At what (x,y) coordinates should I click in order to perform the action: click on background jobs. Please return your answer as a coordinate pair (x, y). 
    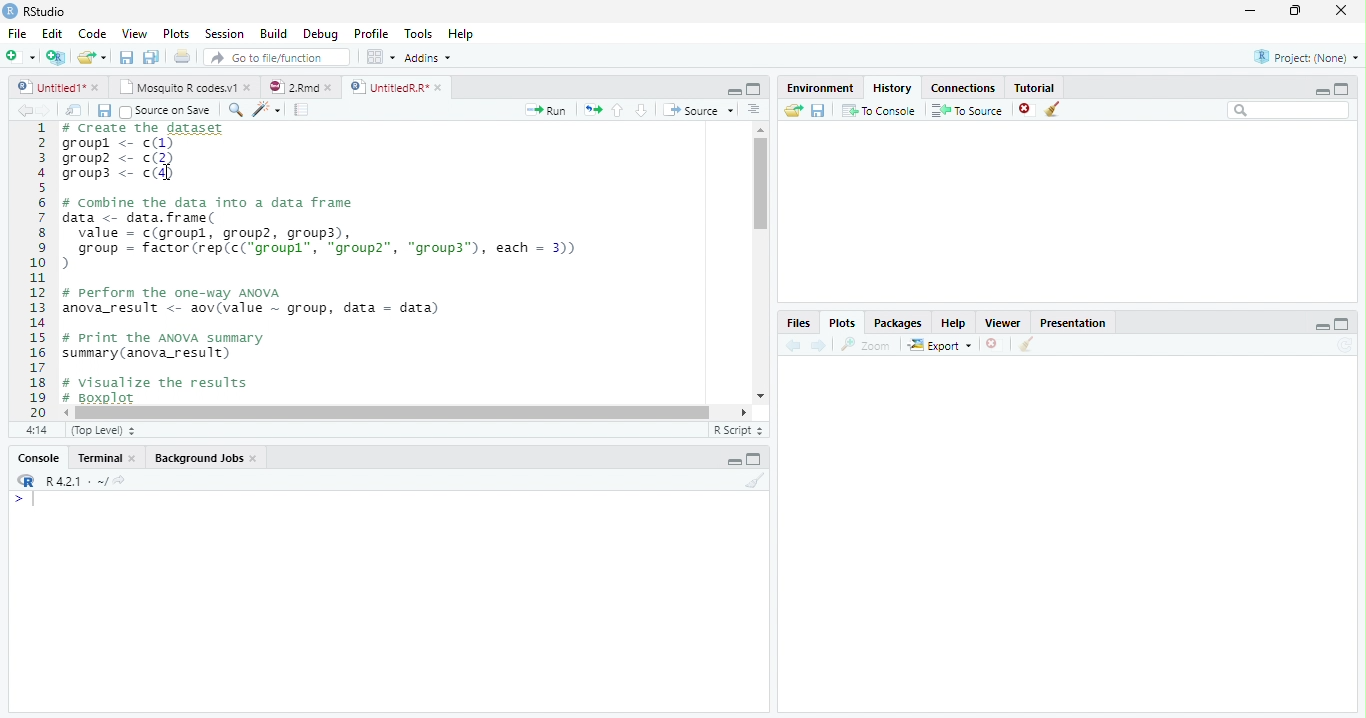
    Looking at the image, I should click on (207, 460).